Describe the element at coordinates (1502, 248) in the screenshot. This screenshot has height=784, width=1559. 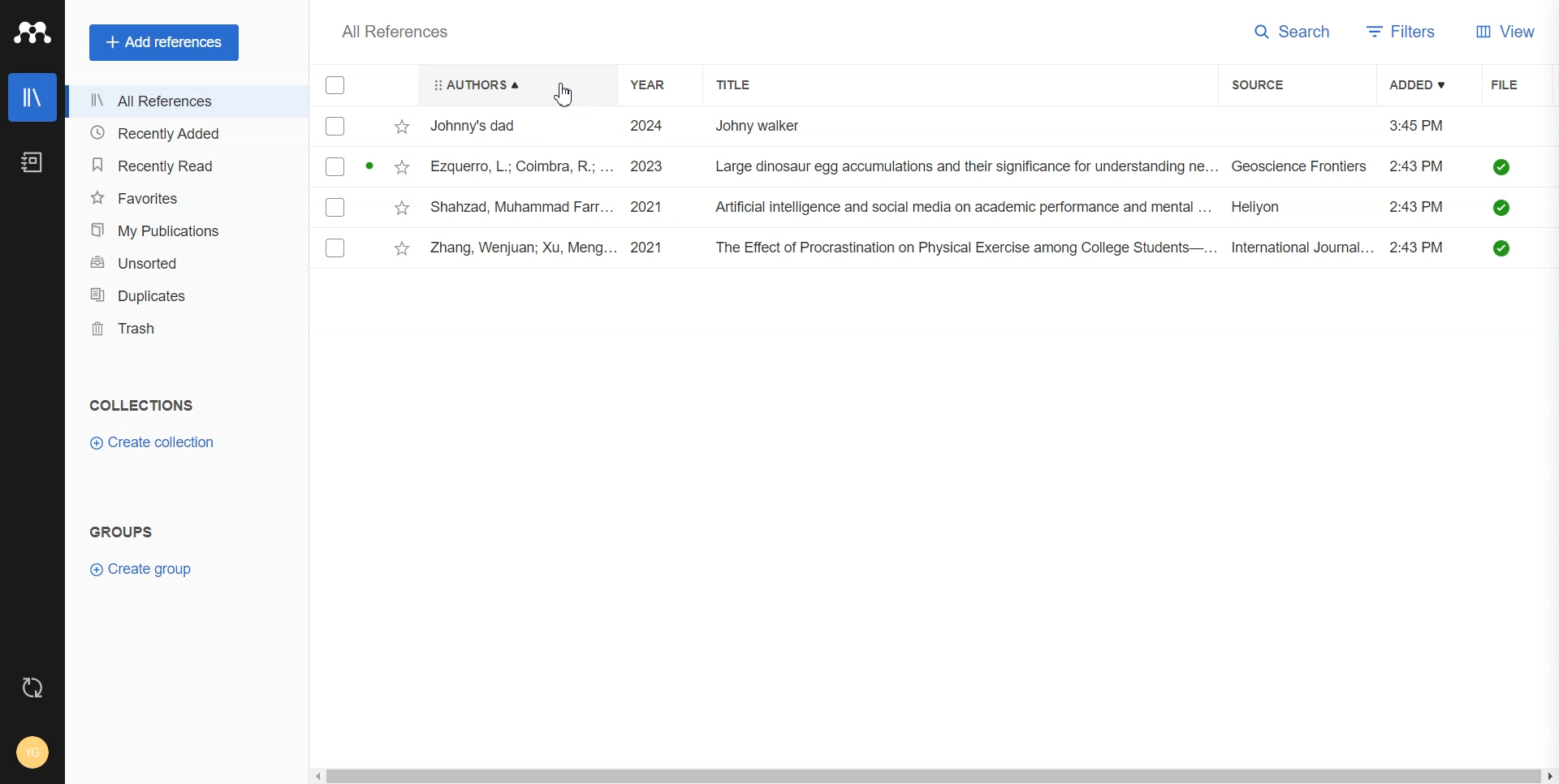
I see `download check` at that location.